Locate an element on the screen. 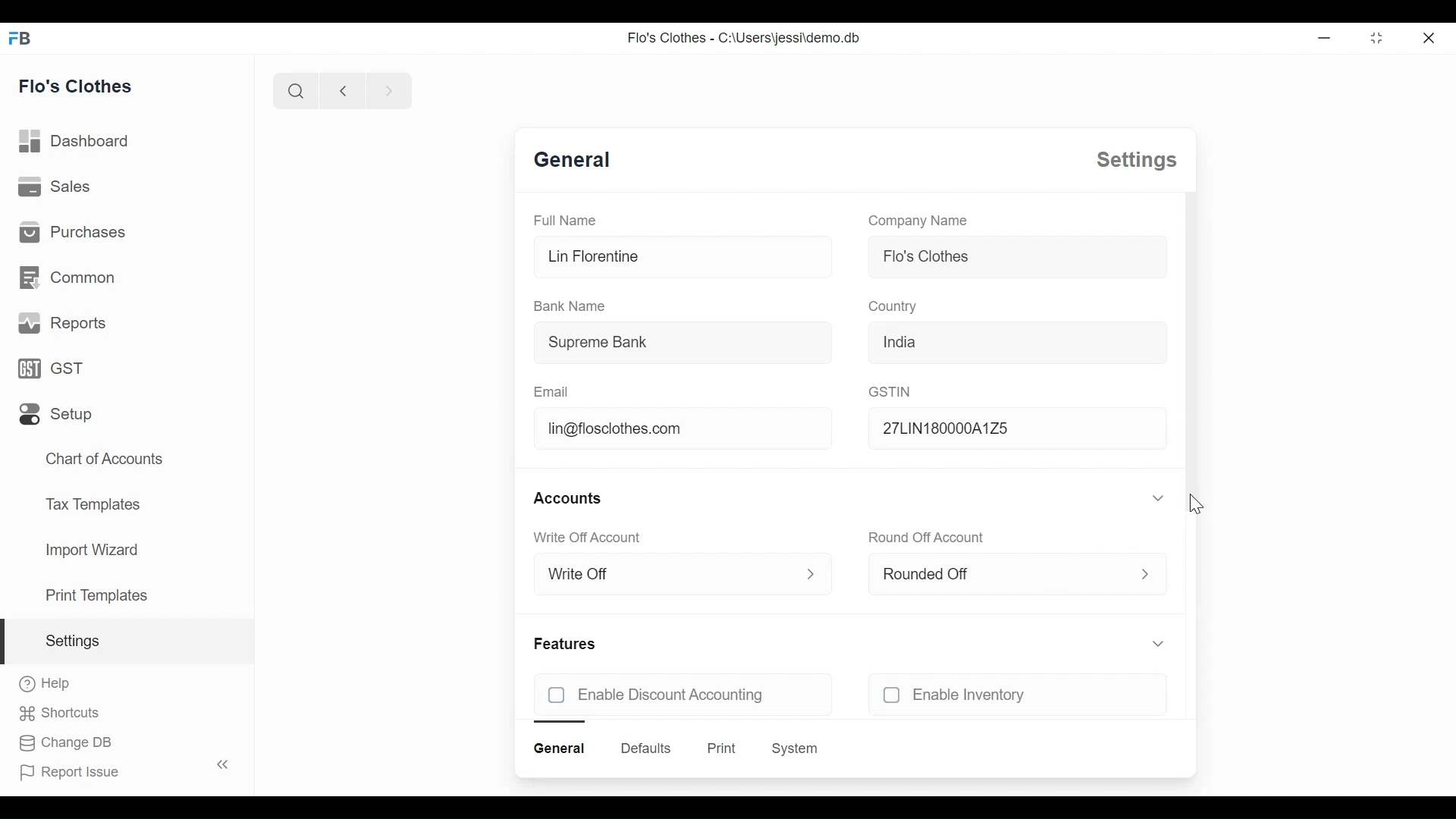 The width and height of the screenshot is (1456, 819). unchecked Enable Inventory is located at coordinates (976, 695).